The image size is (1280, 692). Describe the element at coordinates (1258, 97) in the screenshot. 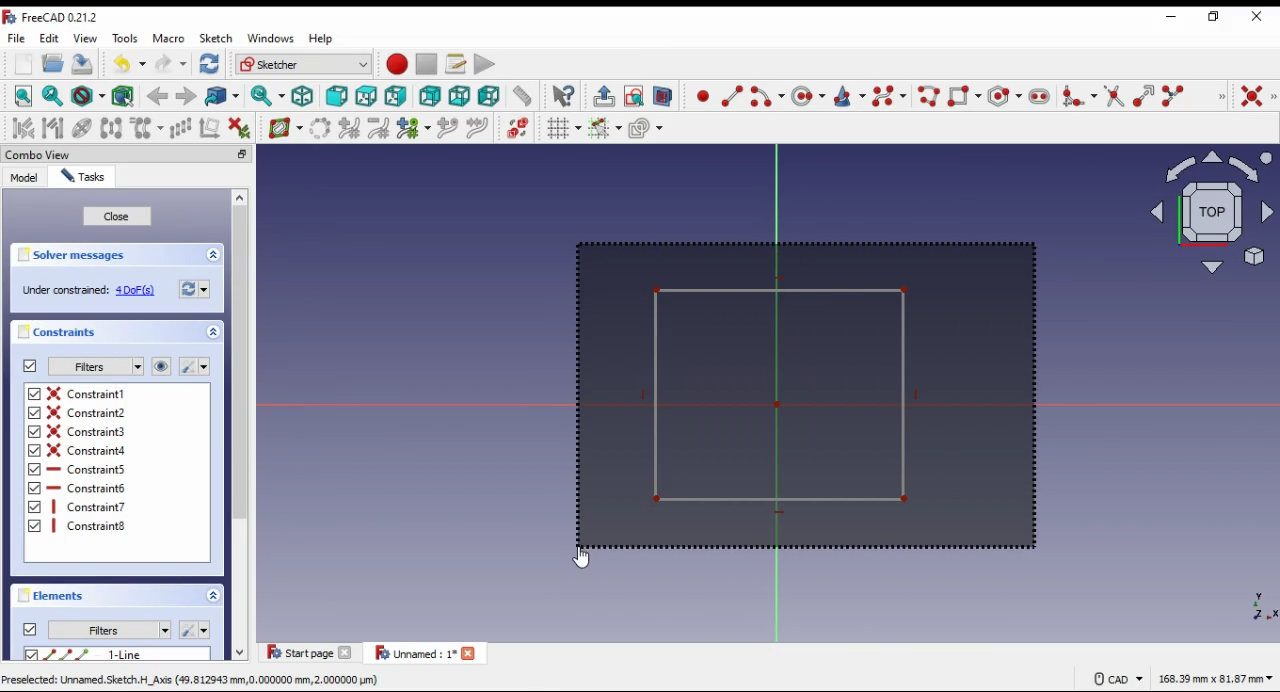

I see `constraint coincident` at that location.